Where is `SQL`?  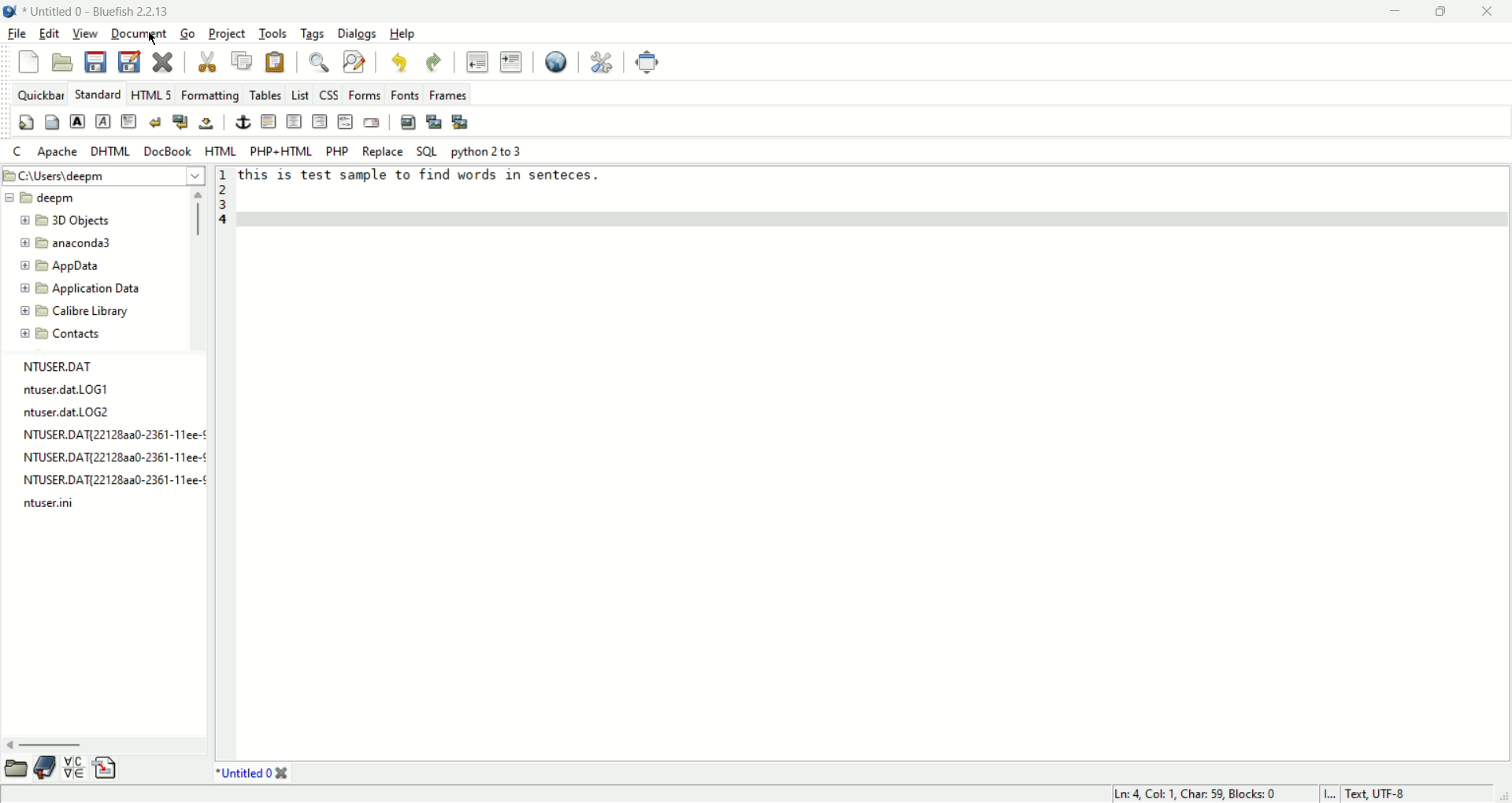 SQL is located at coordinates (427, 152).